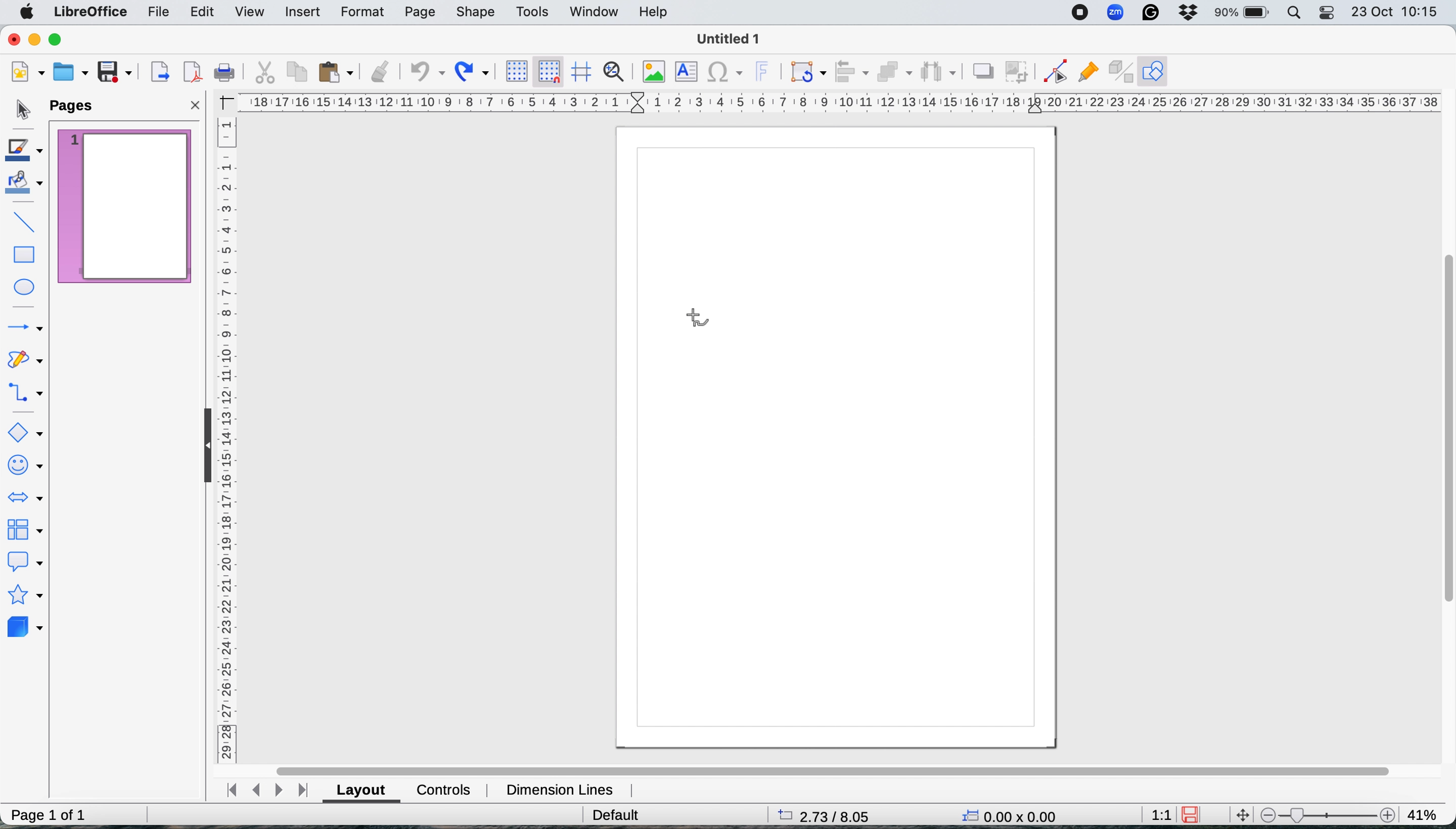 The image size is (1456, 829). What do you see at coordinates (225, 72) in the screenshot?
I see `print` at bounding box center [225, 72].